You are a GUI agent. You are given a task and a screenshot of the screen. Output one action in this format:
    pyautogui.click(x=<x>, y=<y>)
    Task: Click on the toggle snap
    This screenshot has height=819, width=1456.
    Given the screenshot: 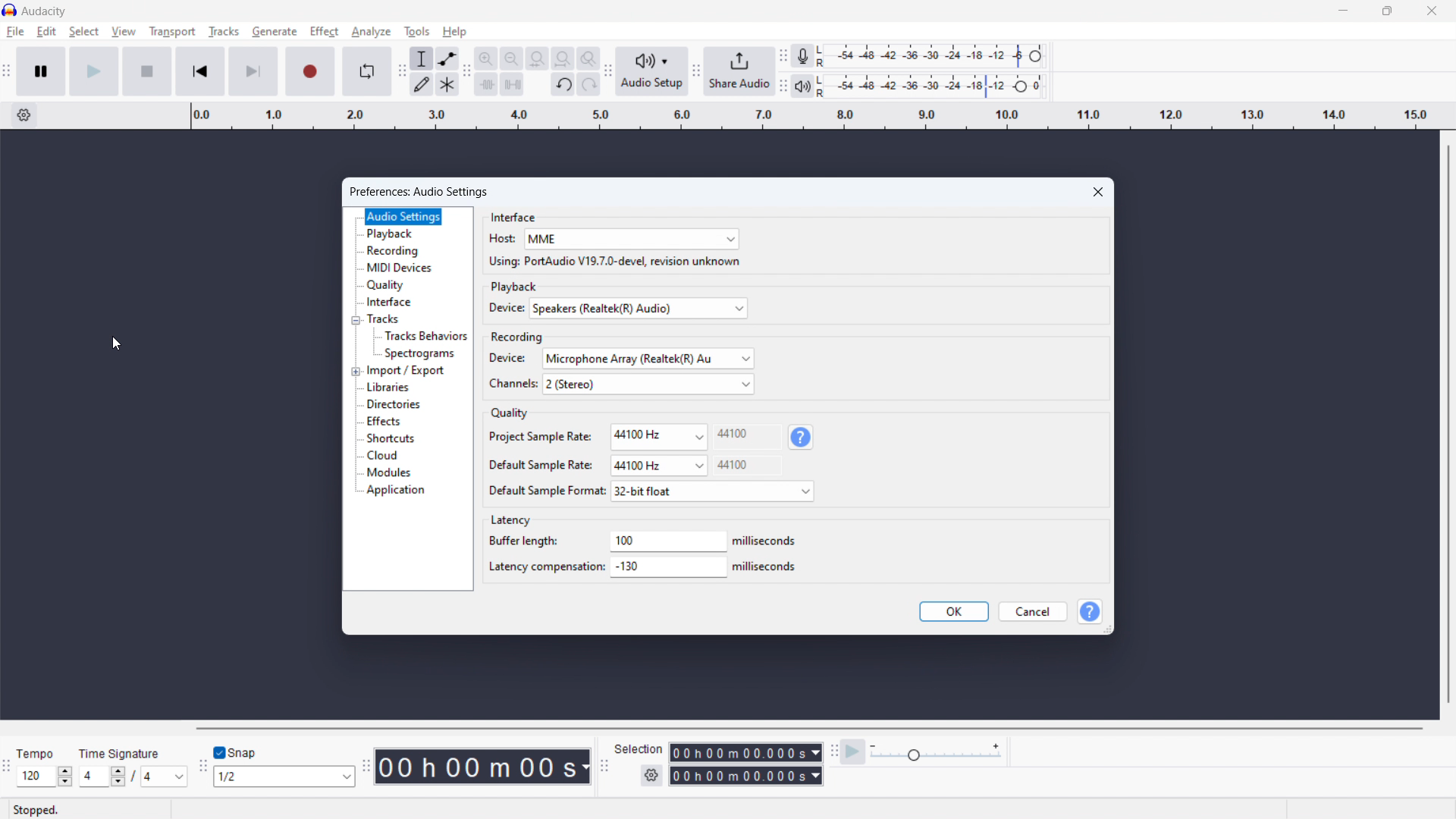 What is the action you would take?
    pyautogui.click(x=237, y=753)
    